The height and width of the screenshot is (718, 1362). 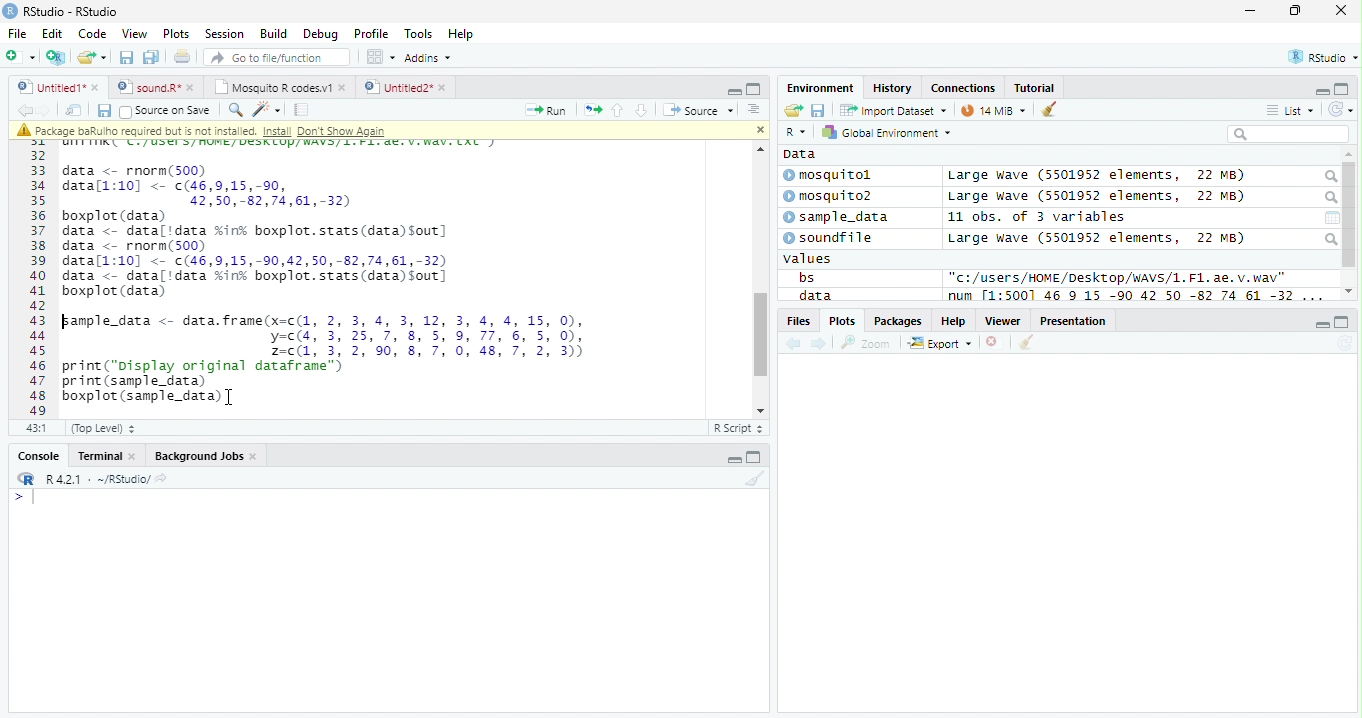 I want to click on bs, so click(x=806, y=277).